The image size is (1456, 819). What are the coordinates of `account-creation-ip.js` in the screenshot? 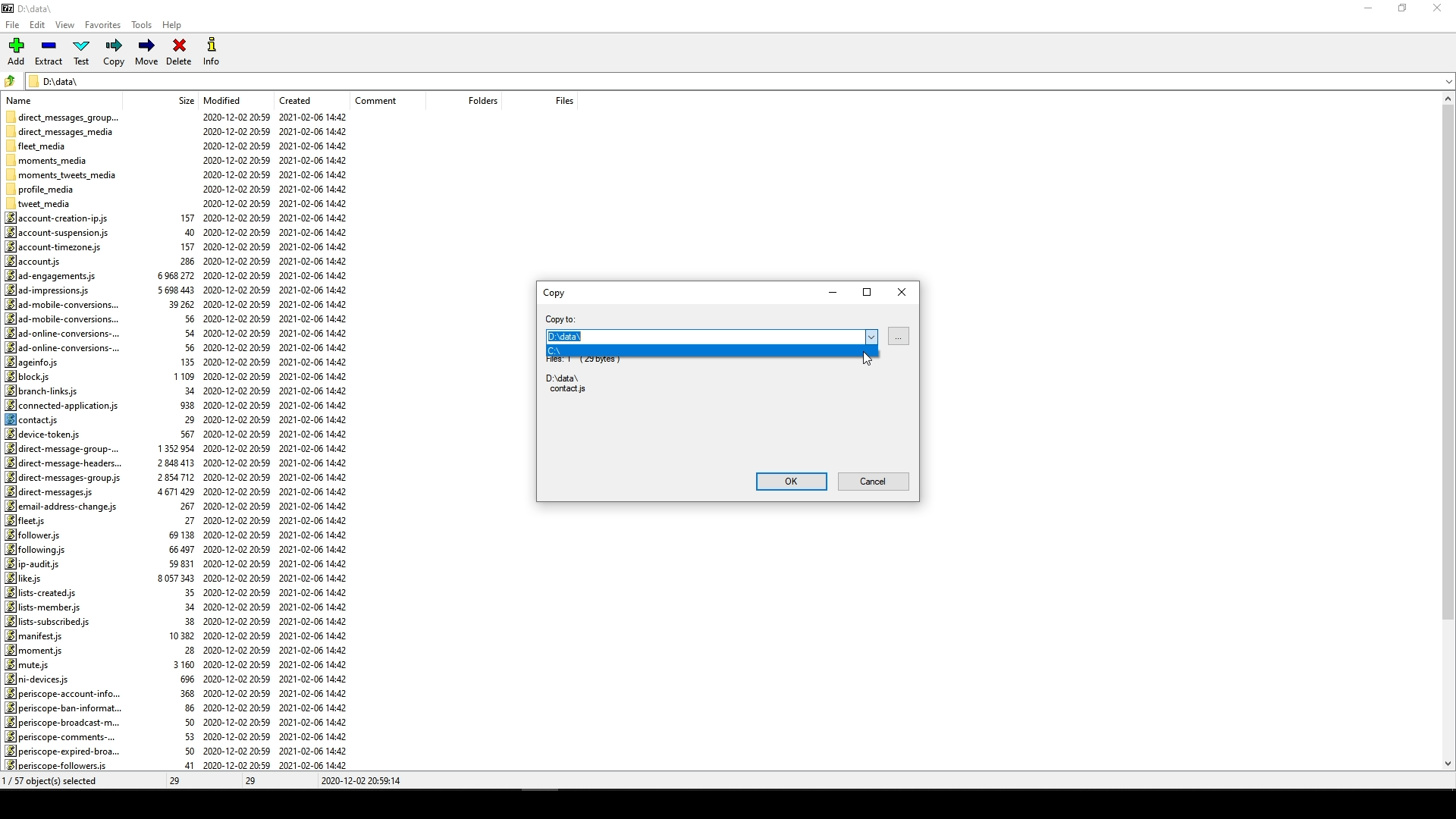 It's located at (63, 218).